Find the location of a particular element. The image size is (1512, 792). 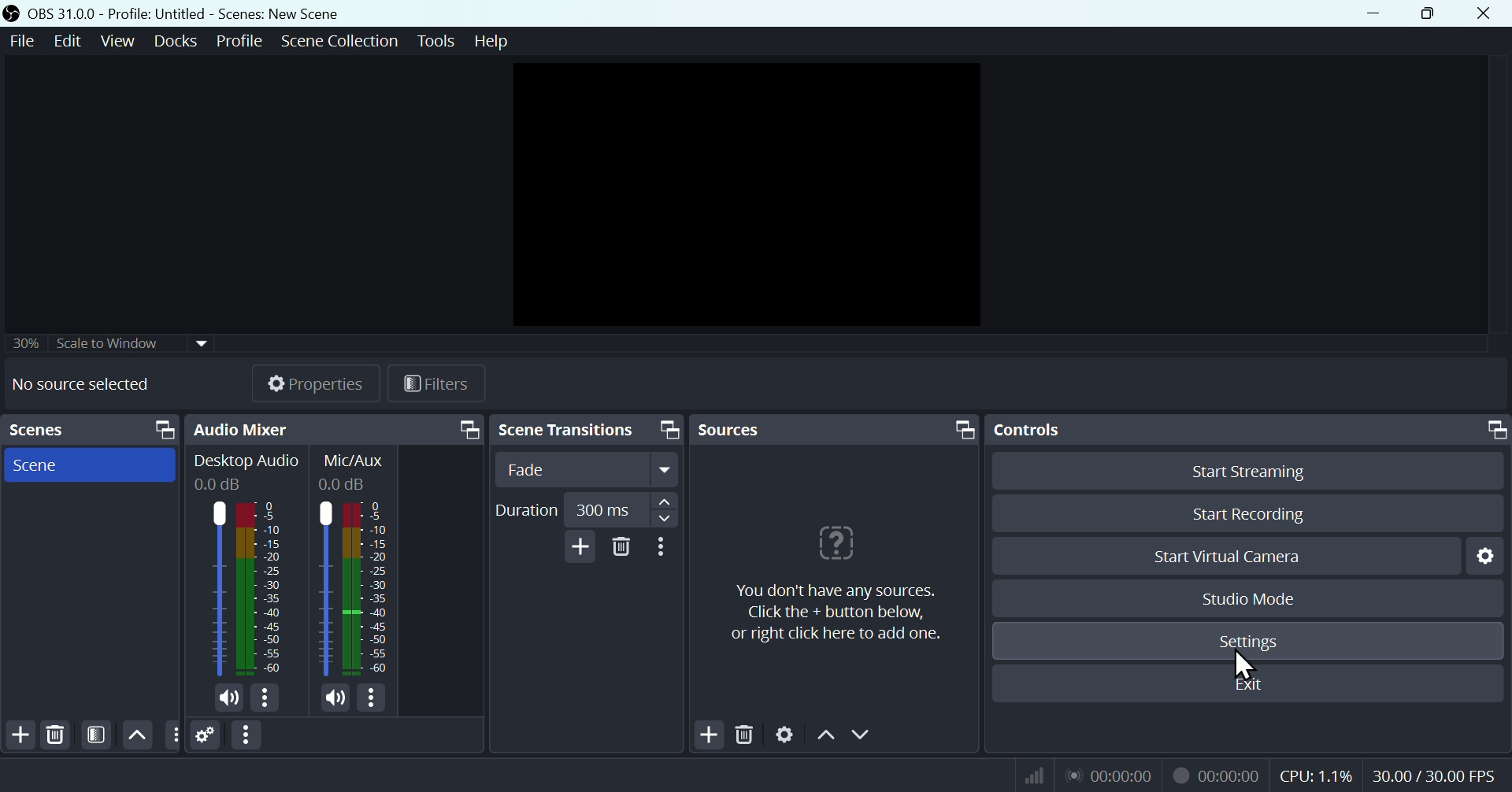

Scene collection is located at coordinates (338, 39).